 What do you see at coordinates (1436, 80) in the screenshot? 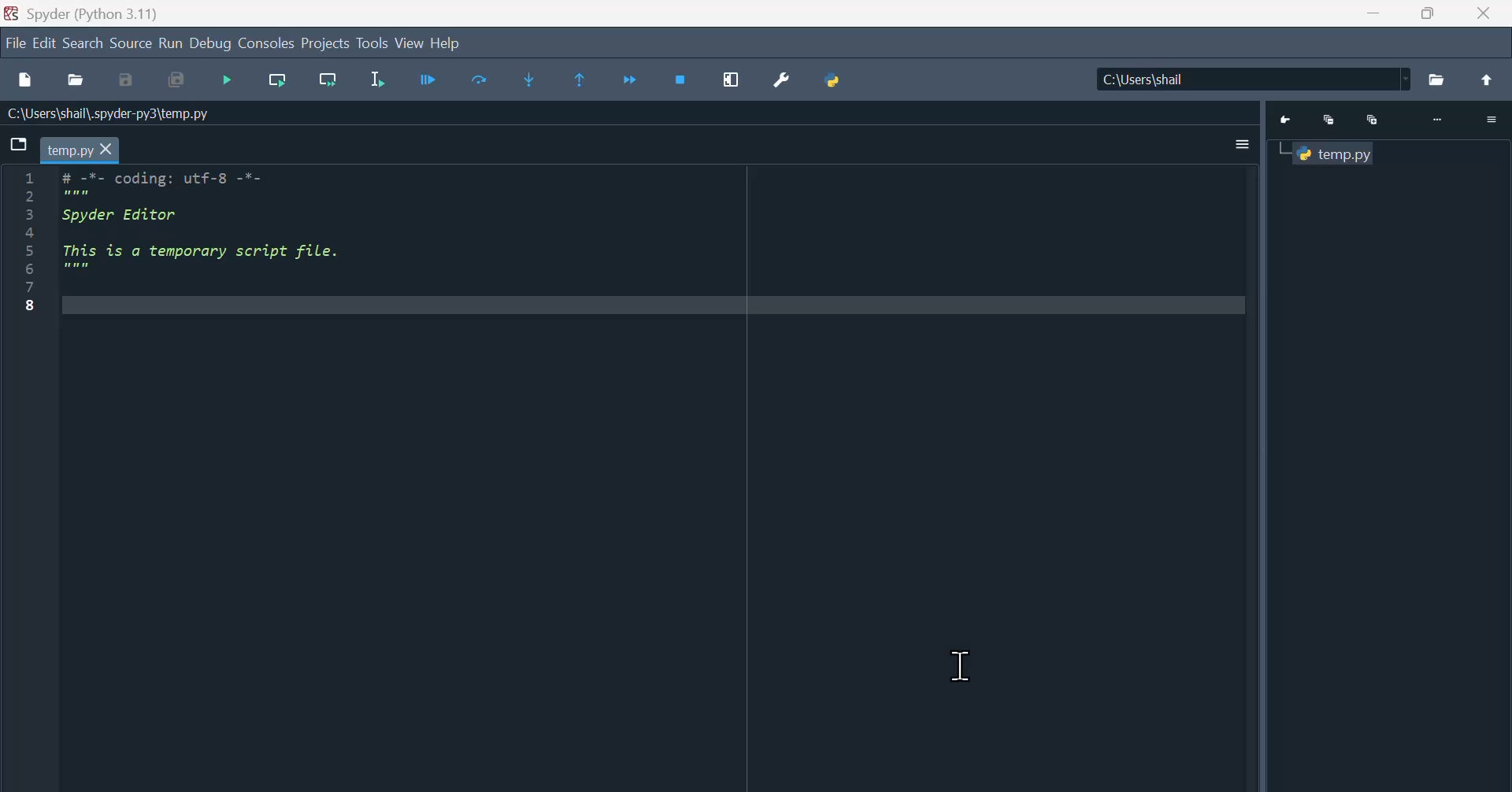
I see `File` at bounding box center [1436, 80].